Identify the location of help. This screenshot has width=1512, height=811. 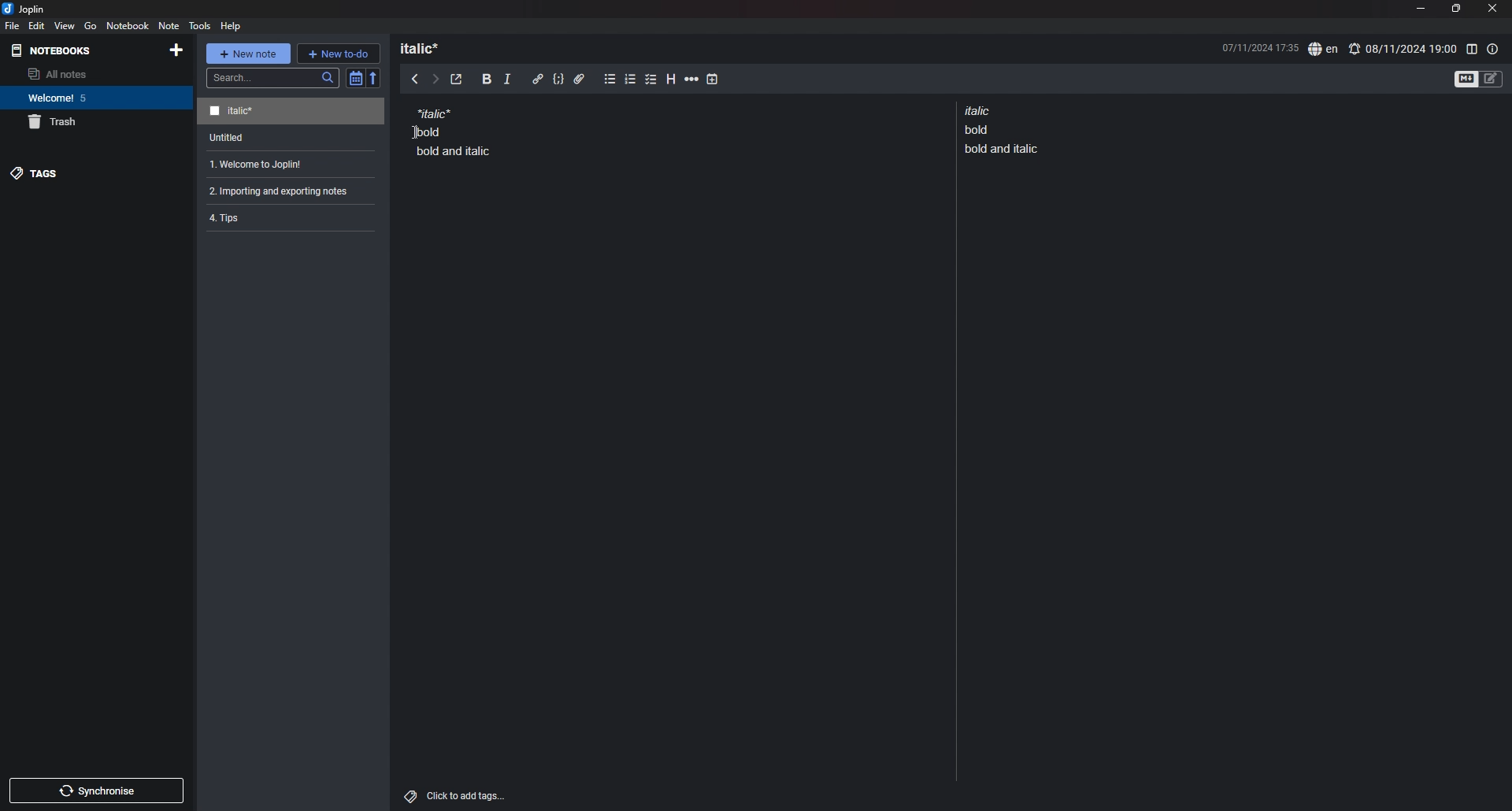
(232, 25).